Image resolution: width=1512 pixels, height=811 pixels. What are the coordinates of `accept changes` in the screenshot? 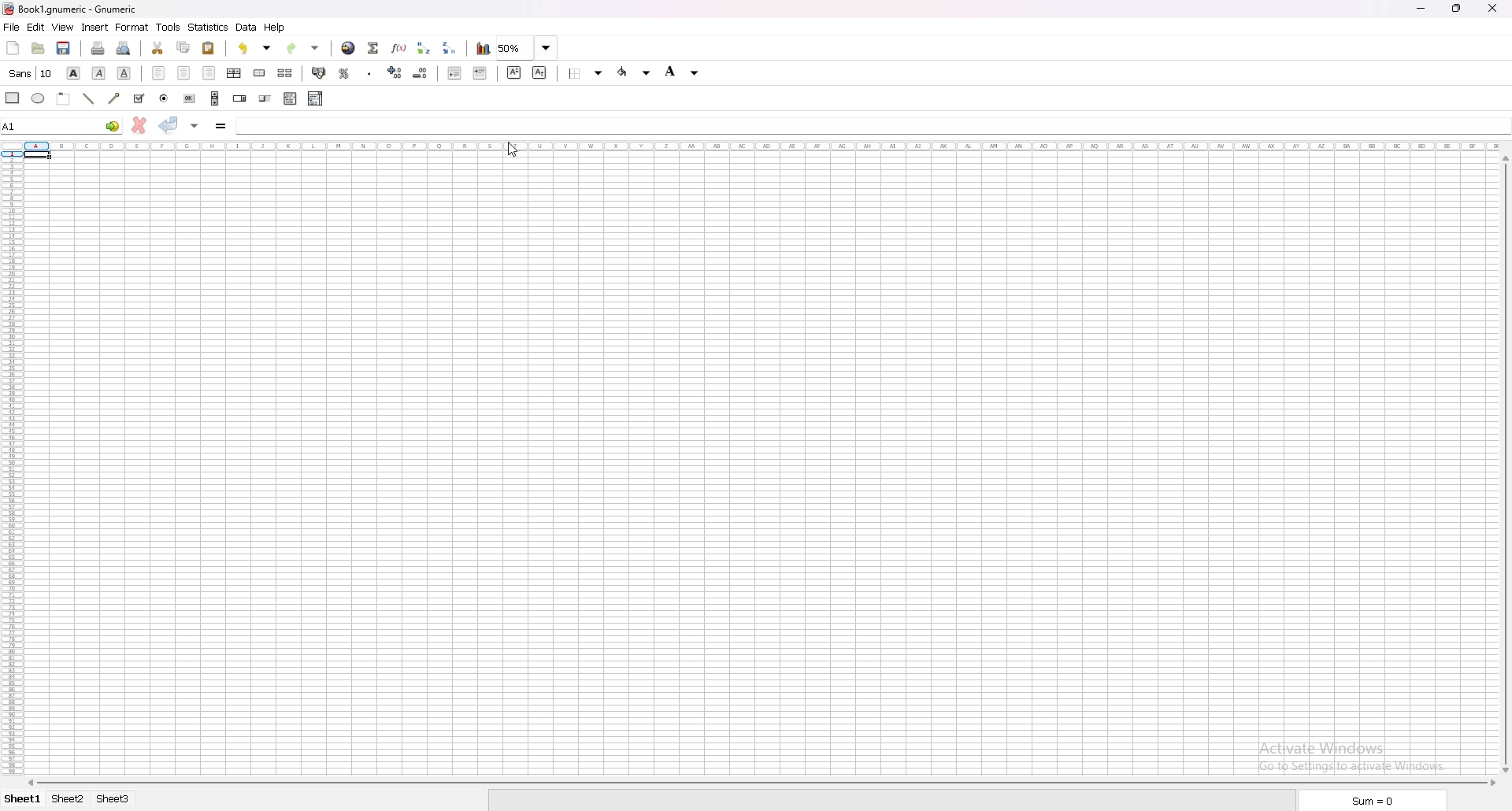 It's located at (169, 124).